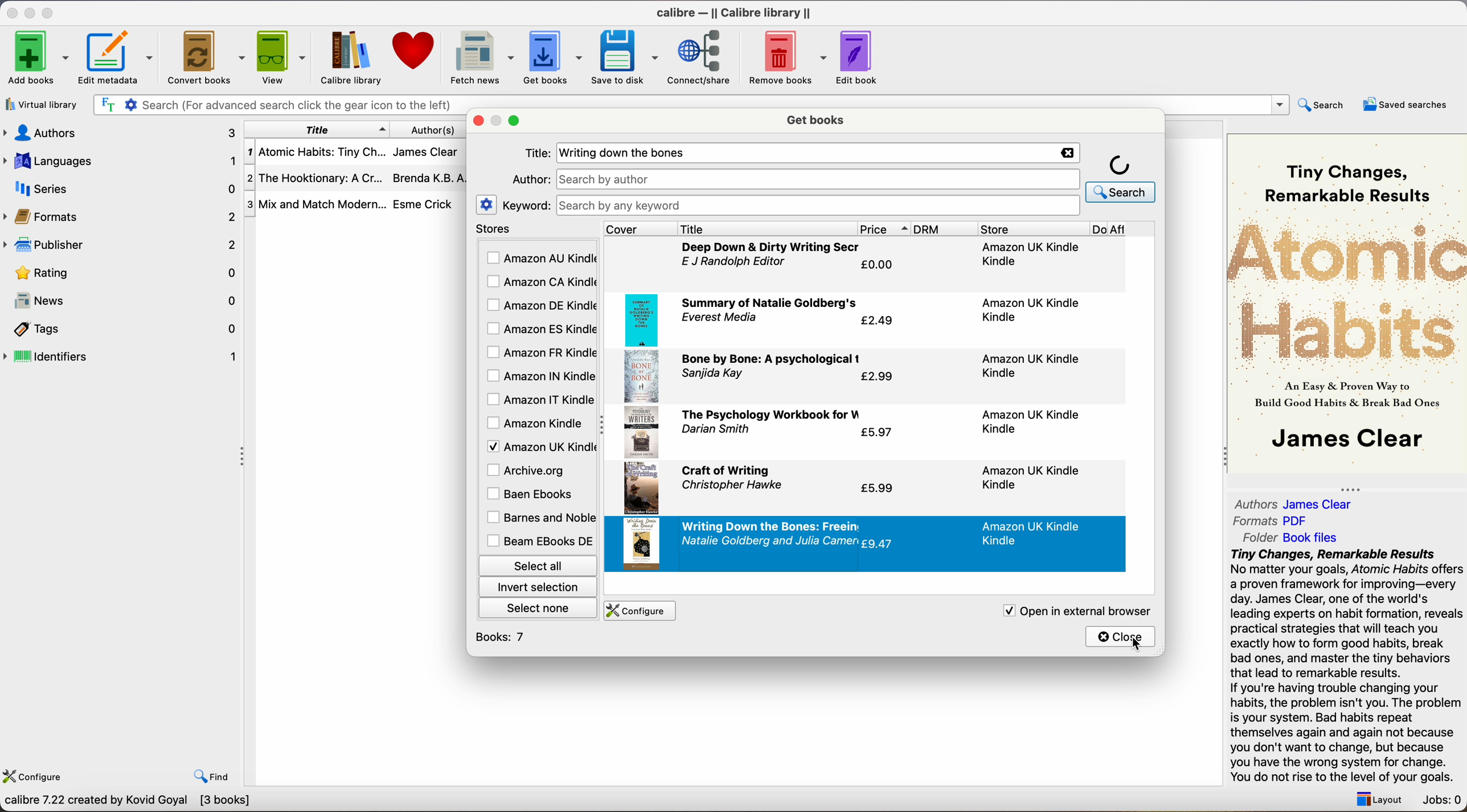 The image size is (1467, 812). I want to click on Authors James Clear, so click(1294, 505).